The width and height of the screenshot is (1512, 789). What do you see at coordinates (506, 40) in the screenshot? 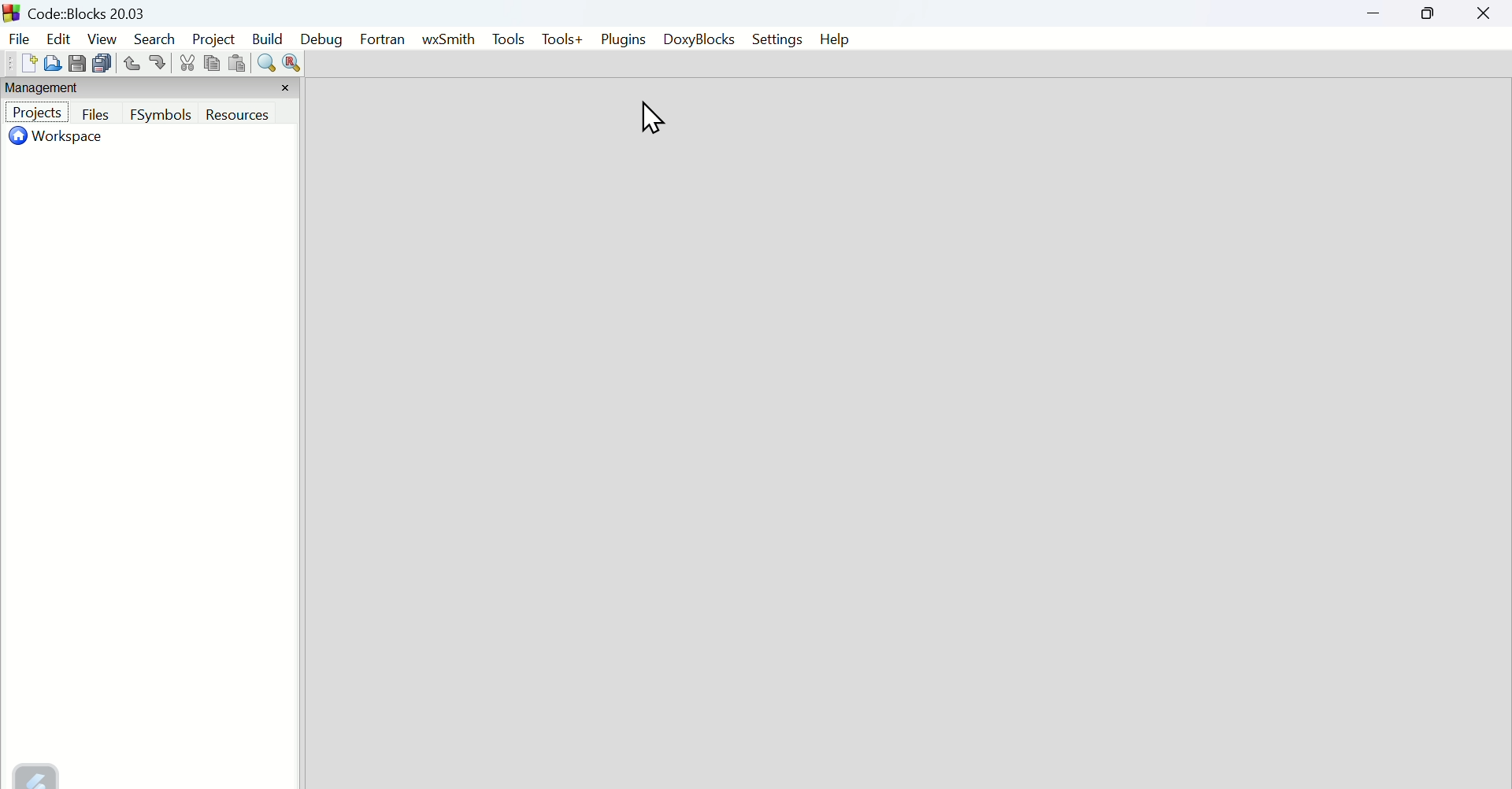
I see `Tools` at bounding box center [506, 40].